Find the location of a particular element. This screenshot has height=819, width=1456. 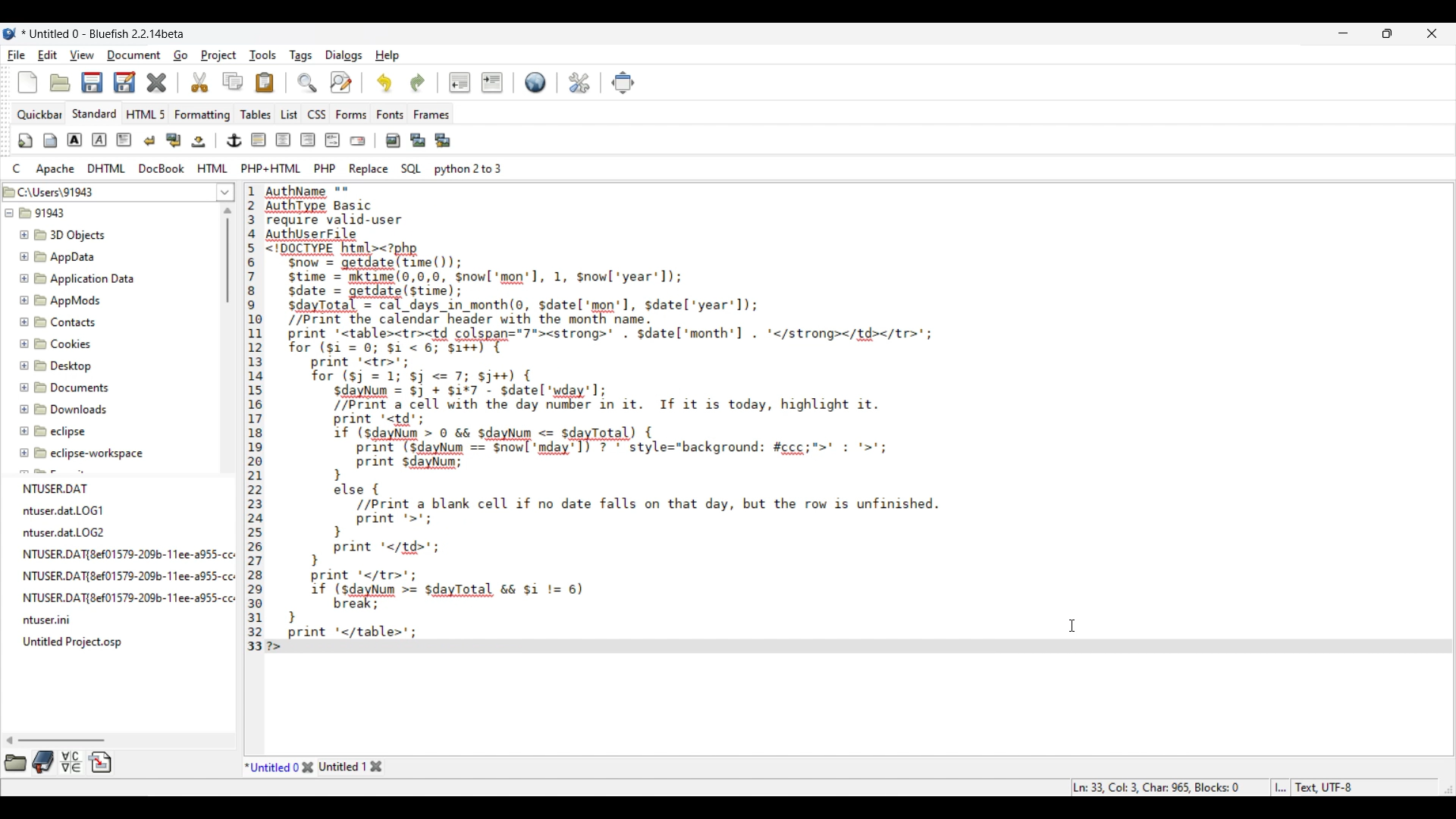

List of folder location is located at coordinates (225, 192).